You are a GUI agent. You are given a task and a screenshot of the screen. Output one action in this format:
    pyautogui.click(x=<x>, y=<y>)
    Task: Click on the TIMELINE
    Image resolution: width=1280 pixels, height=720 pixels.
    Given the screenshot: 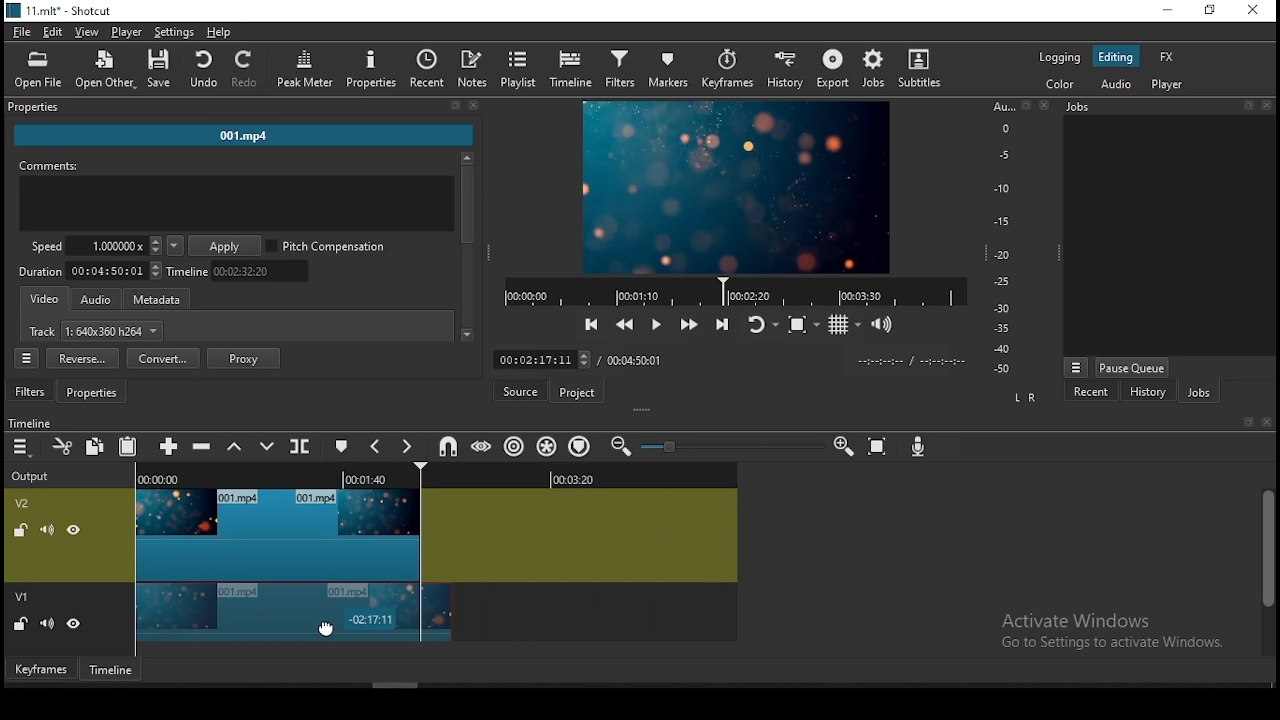 What is the action you would take?
    pyautogui.click(x=734, y=291)
    